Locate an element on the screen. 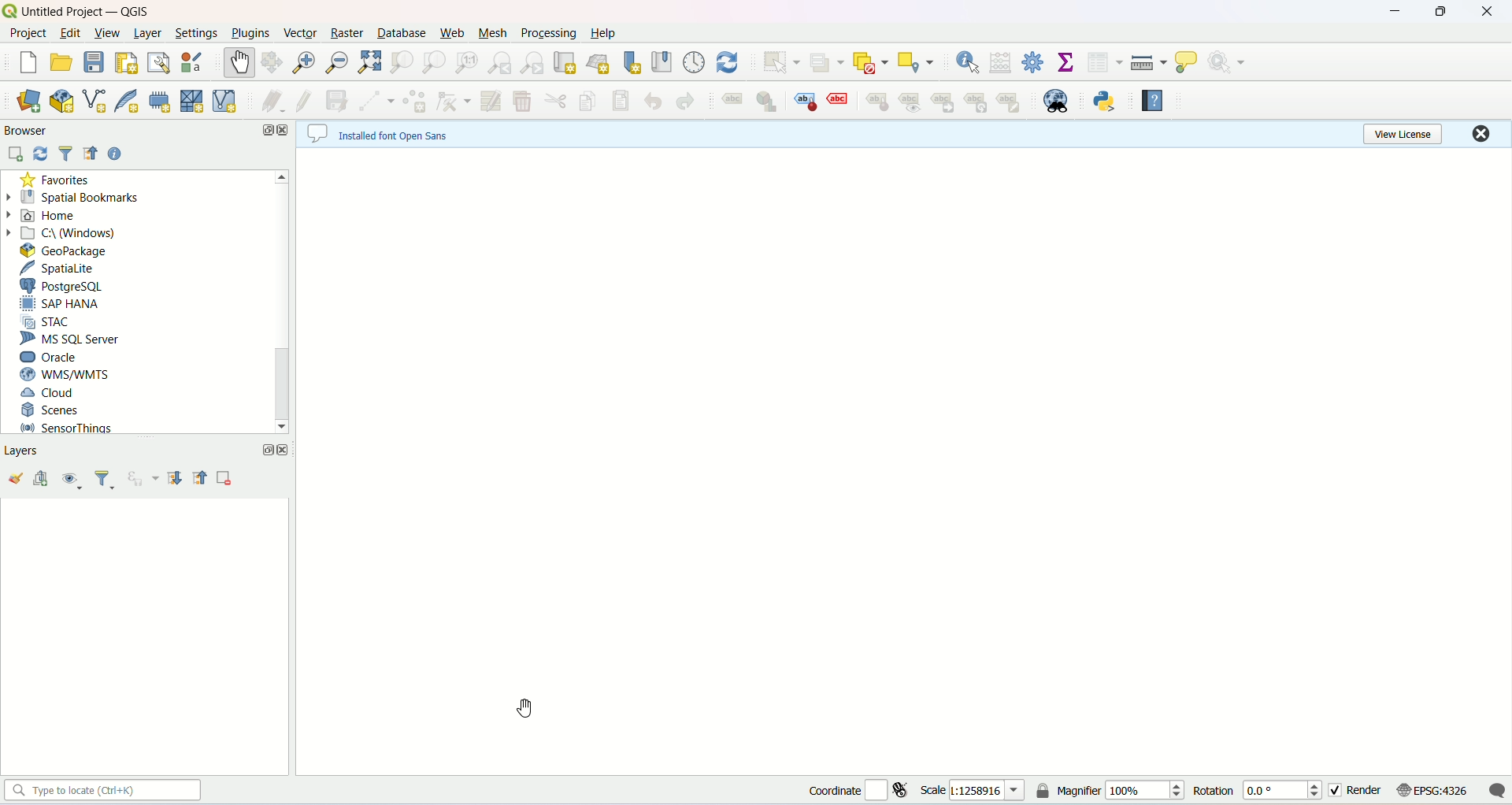 This screenshot has width=1512, height=805. select features by area is located at coordinates (782, 62).